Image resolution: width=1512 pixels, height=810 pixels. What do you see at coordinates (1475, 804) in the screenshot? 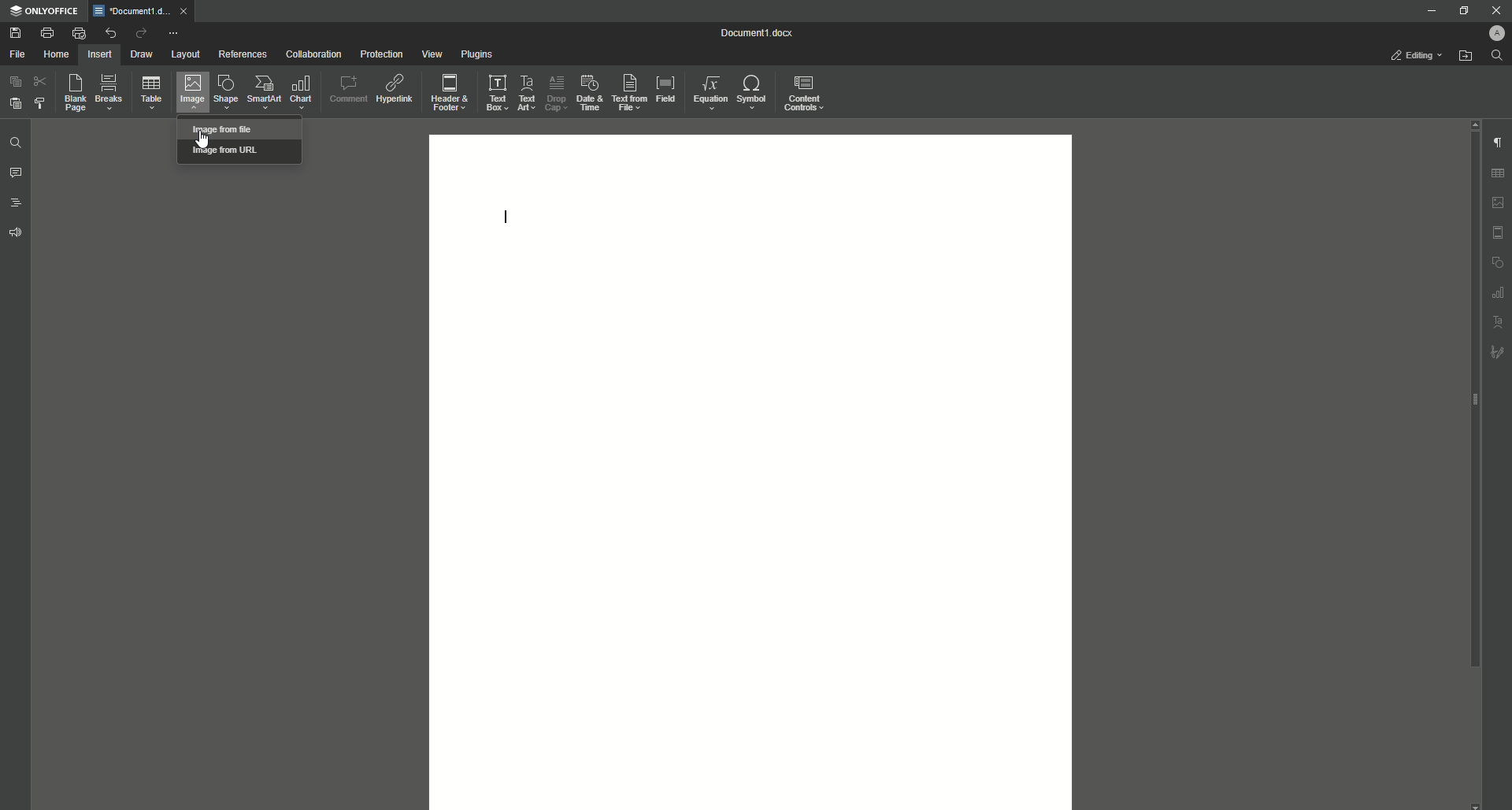
I see `scroll down` at bounding box center [1475, 804].